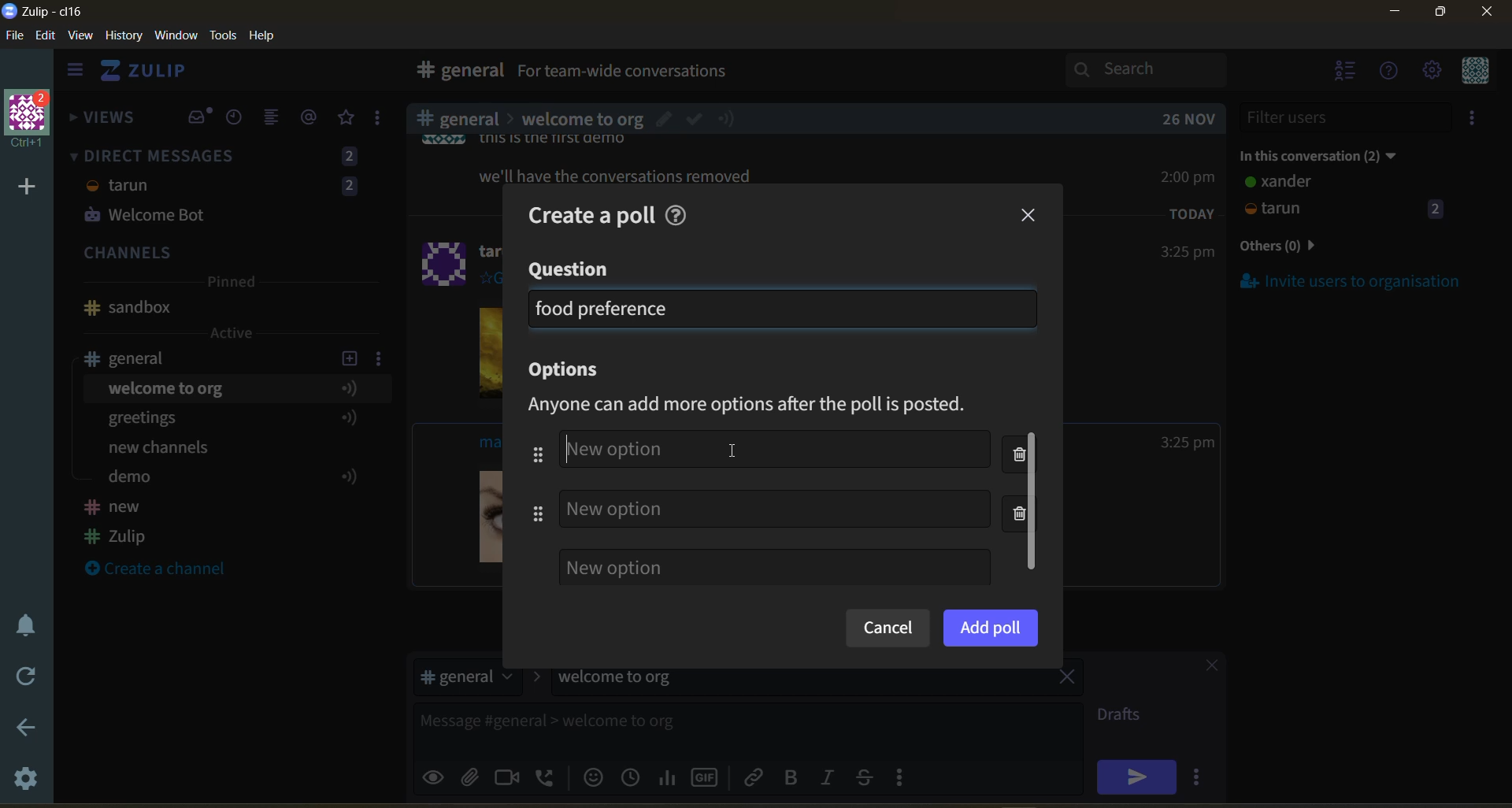  What do you see at coordinates (226, 34) in the screenshot?
I see `tools` at bounding box center [226, 34].